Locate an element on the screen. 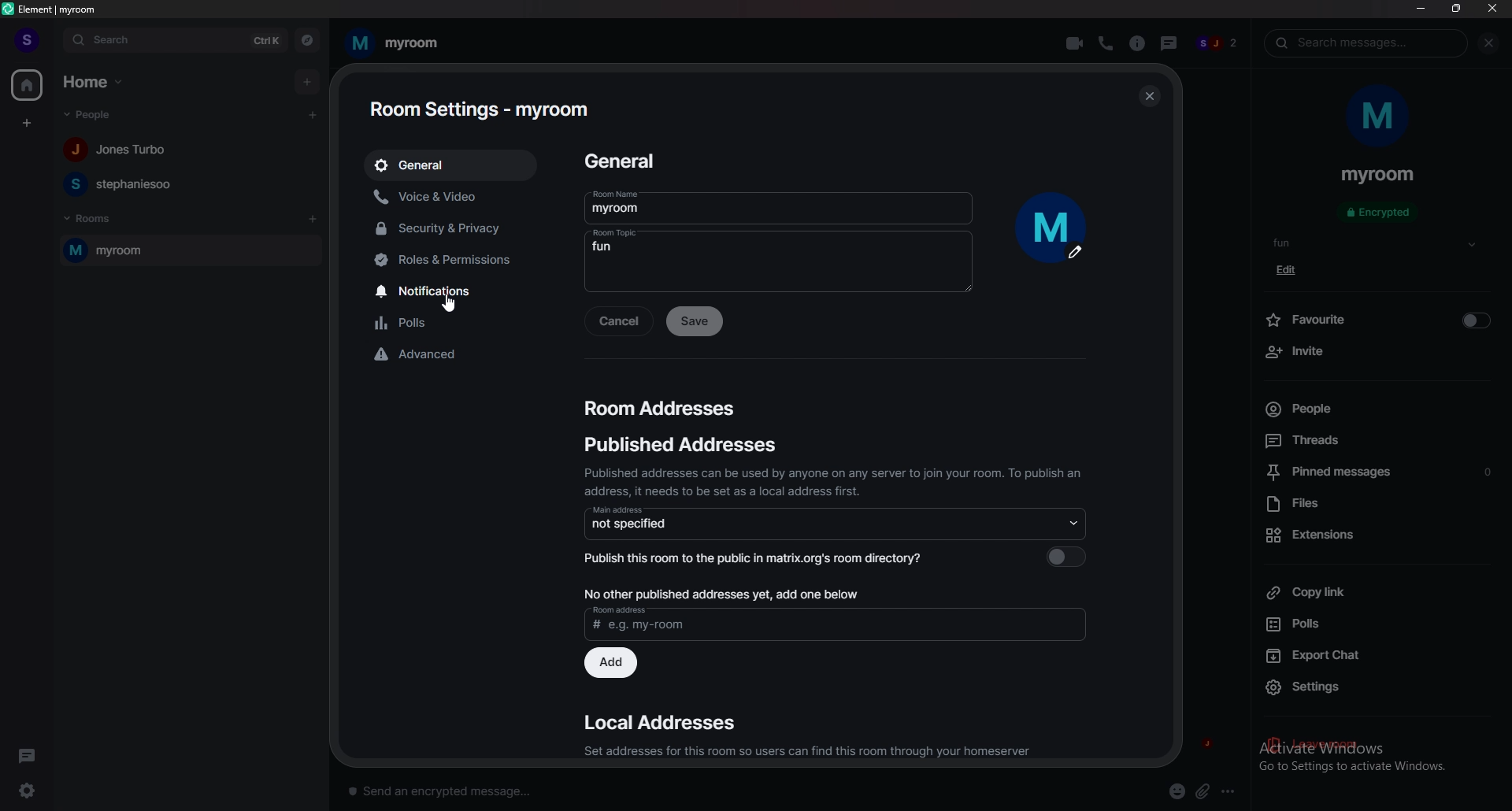  create space is located at coordinates (26, 123).